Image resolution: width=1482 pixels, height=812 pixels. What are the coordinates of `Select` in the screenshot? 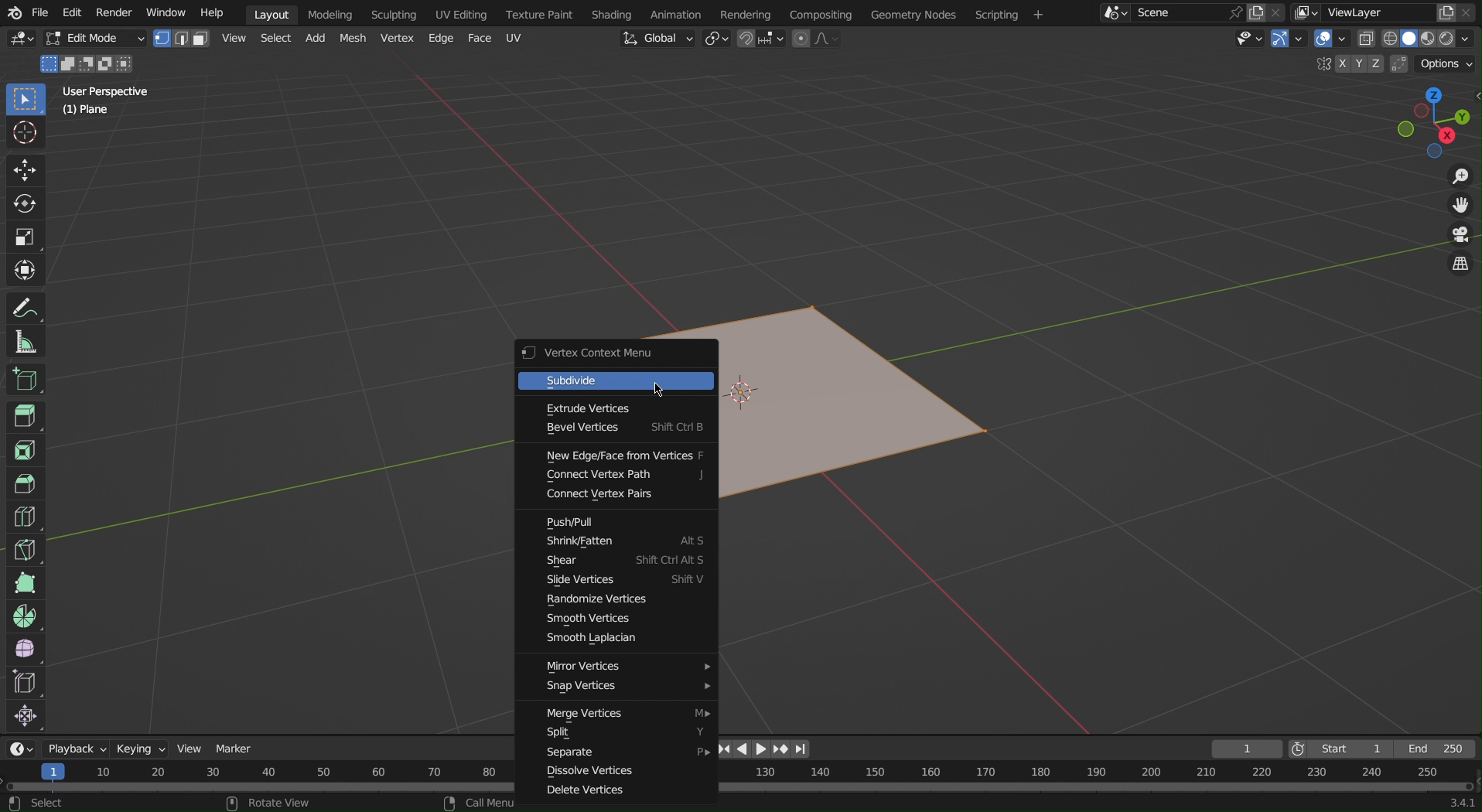 It's located at (273, 40).